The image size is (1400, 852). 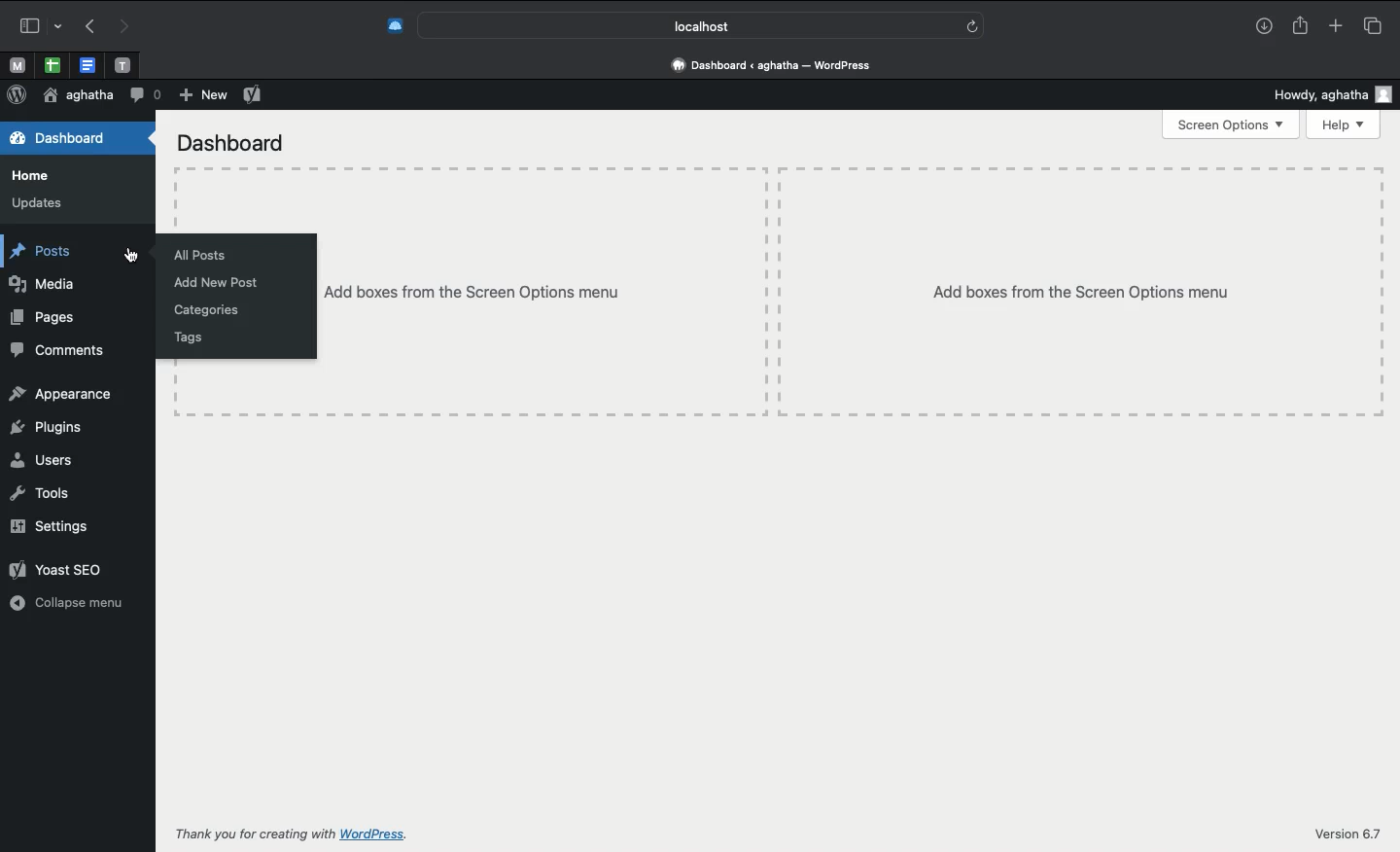 I want to click on Address, so click(x=775, y=65).